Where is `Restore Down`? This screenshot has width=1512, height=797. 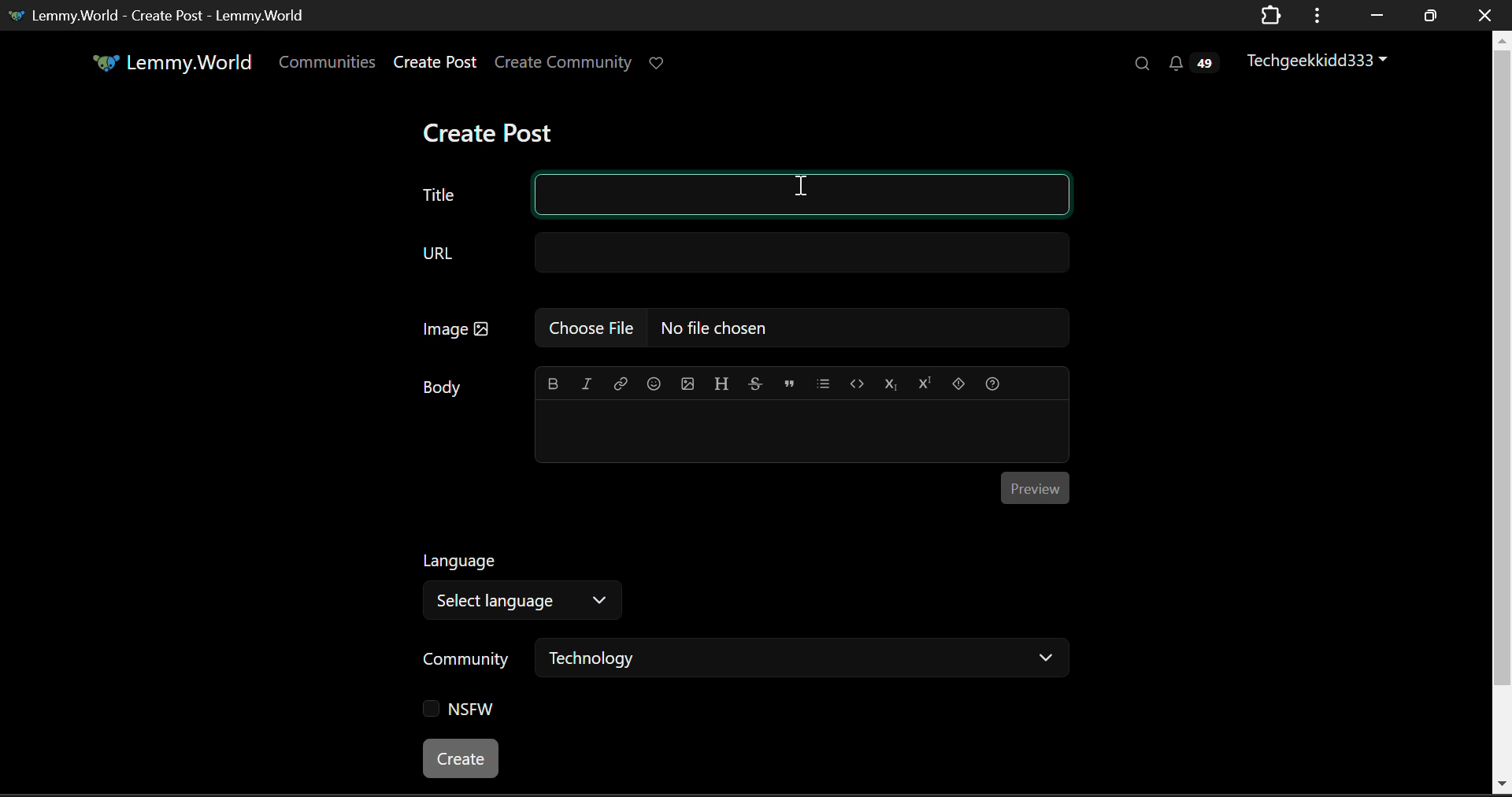
Restore Down is located at coordinates (1373, 13).